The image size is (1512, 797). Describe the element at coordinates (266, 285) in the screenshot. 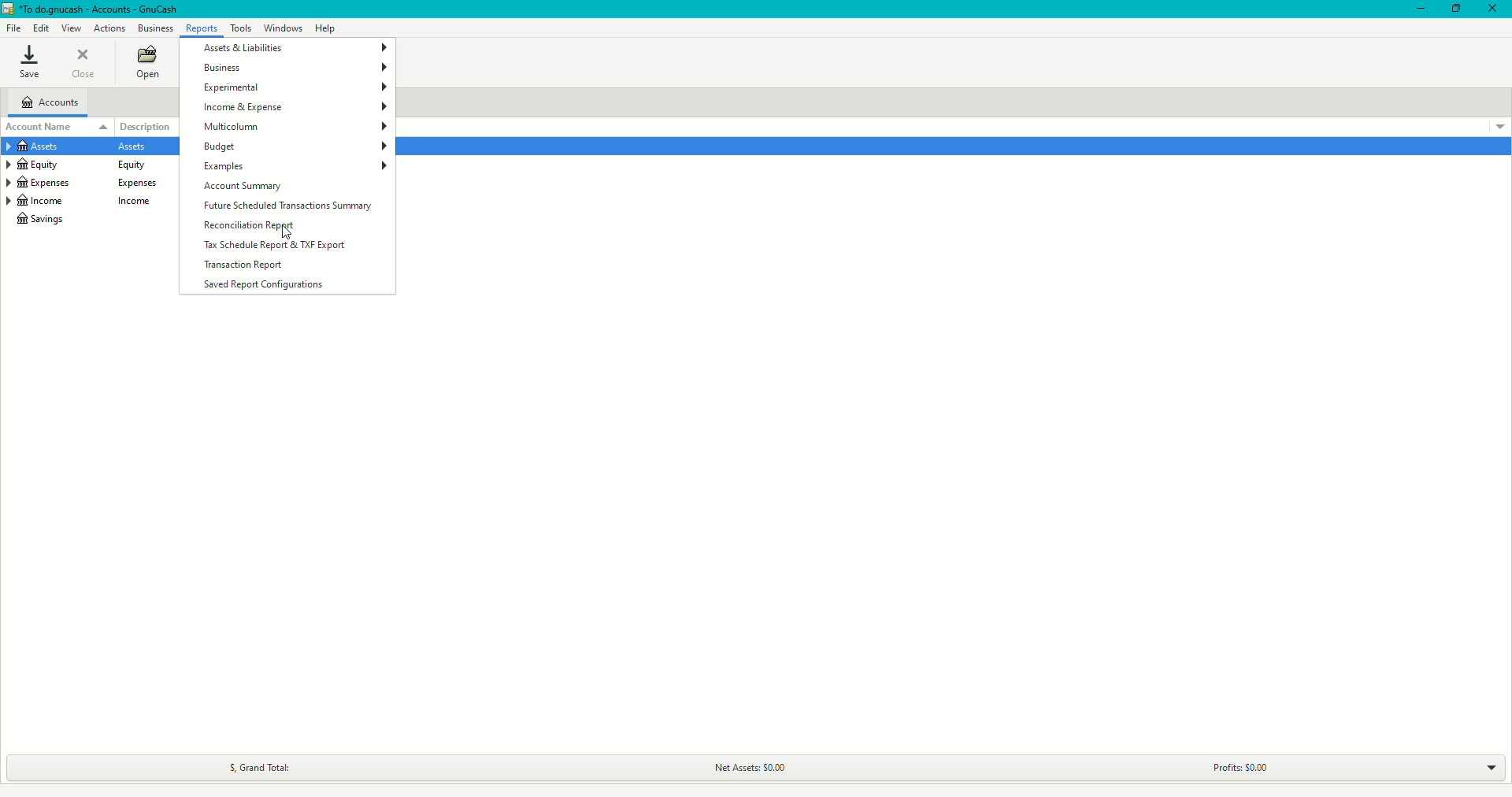

I see `Saved Report Configurations` at that location.